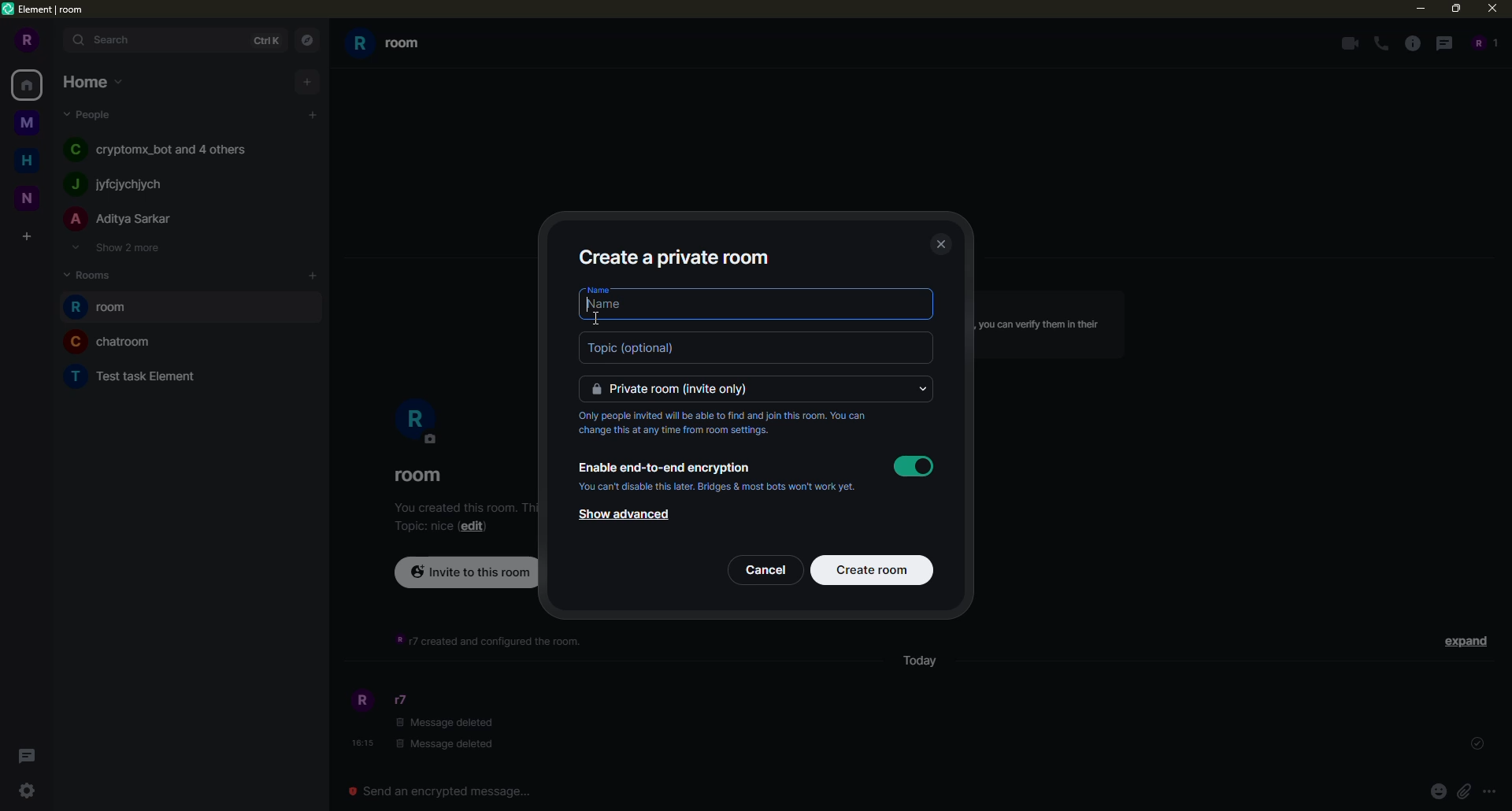  What do you see at coordinates (1347, 42) in the screenshot?
I see `video call` at bounding box center [1347, 42].